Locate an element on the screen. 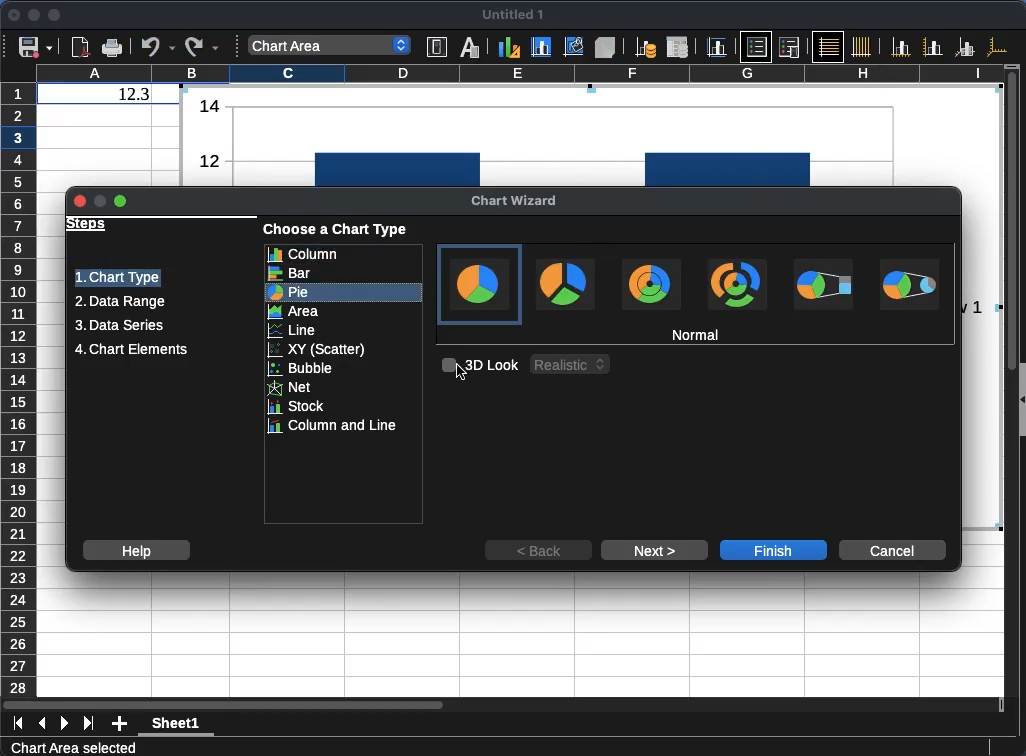  minimize is located at coordinates (35, 15).